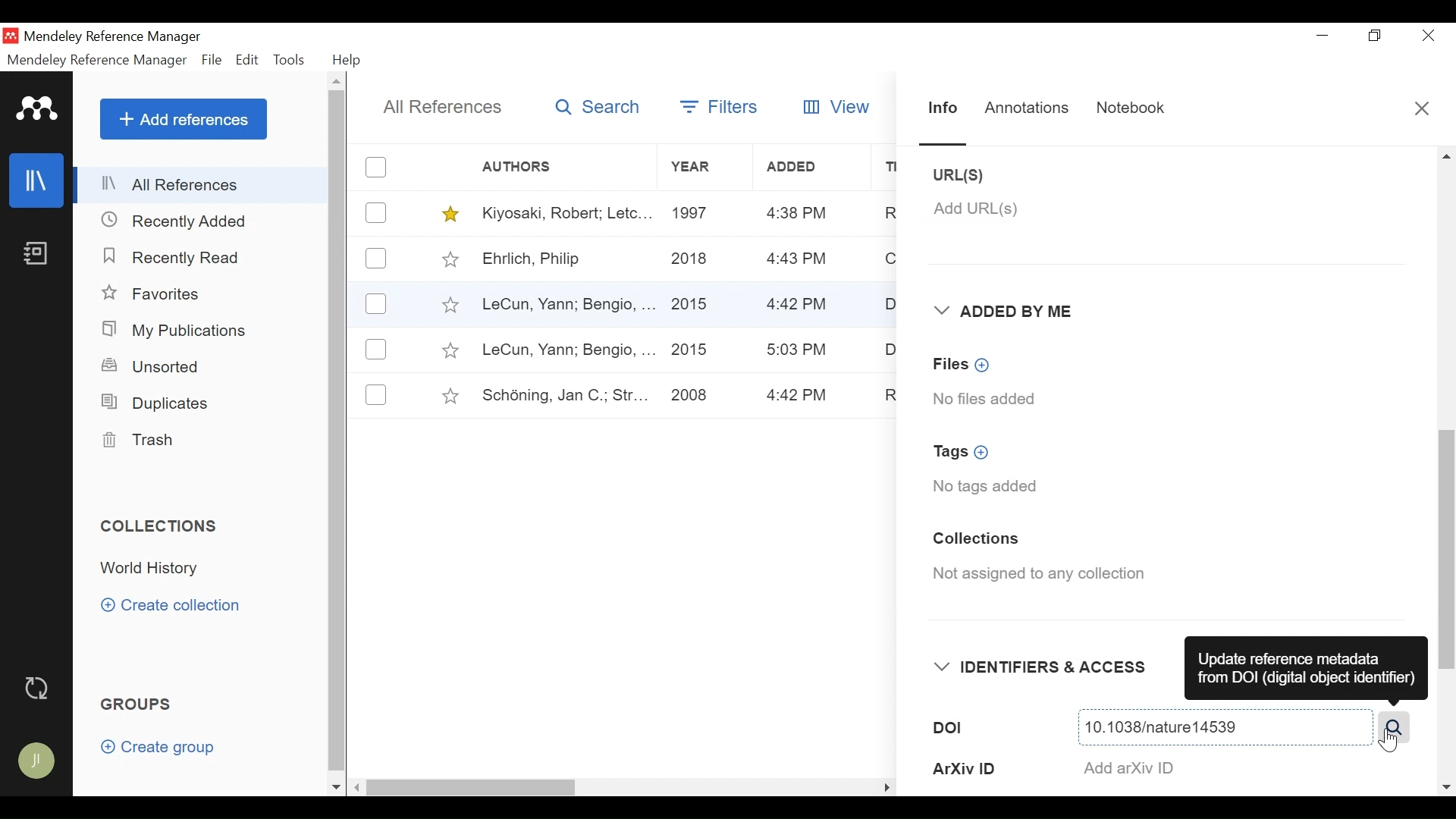  I want to click on Create group, so click(165, 750).